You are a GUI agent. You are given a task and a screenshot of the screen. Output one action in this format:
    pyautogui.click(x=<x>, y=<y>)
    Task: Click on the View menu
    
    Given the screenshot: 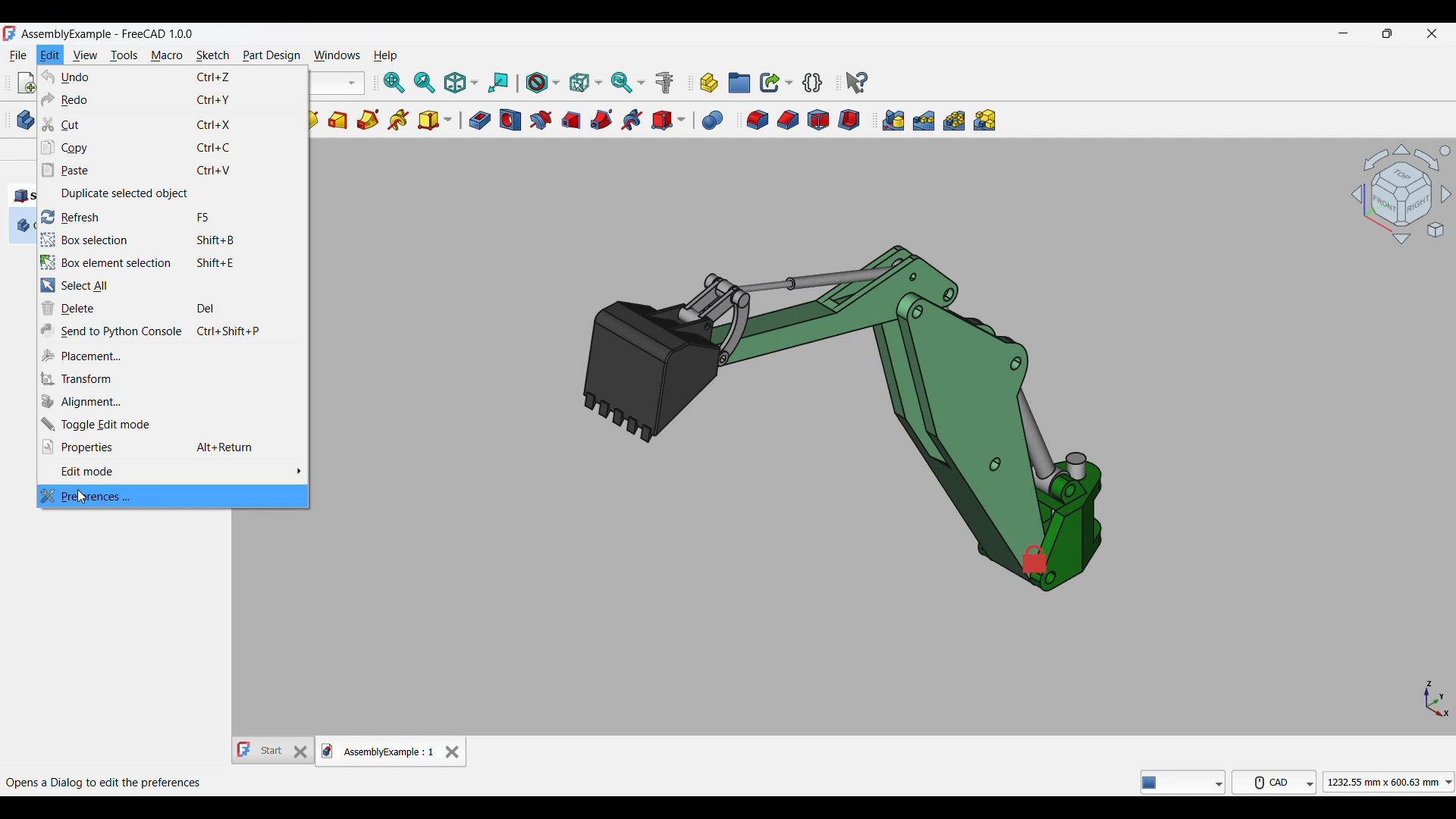 What is the action you would take?
    pyautogui.click(x=85, y=55)
    